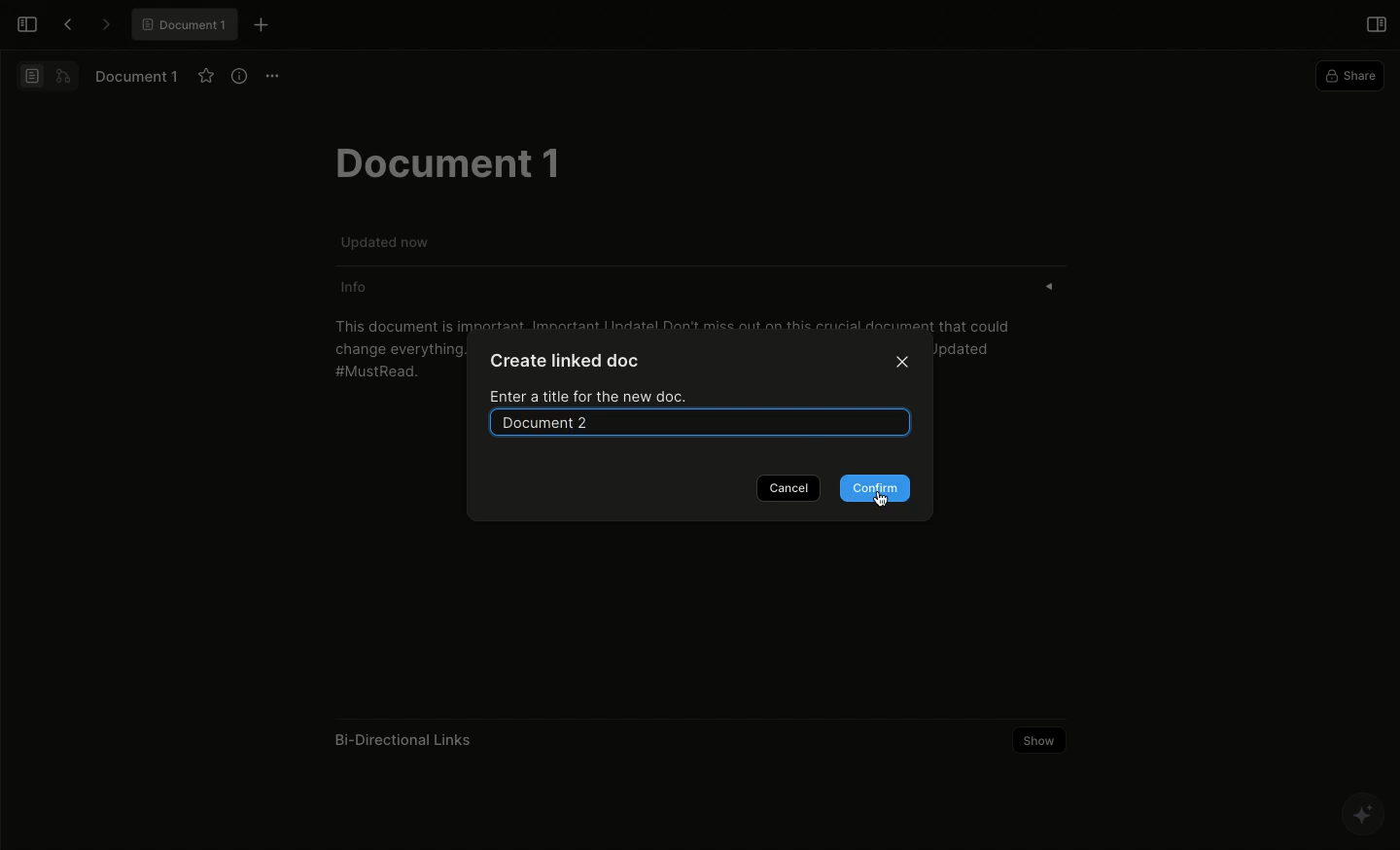 This screenshot has width=1400, height=850. What do you see at coordinates (592, 395) in the screenshot?
I see `Enter a title for the new doc` at bounding box center [592, 395].